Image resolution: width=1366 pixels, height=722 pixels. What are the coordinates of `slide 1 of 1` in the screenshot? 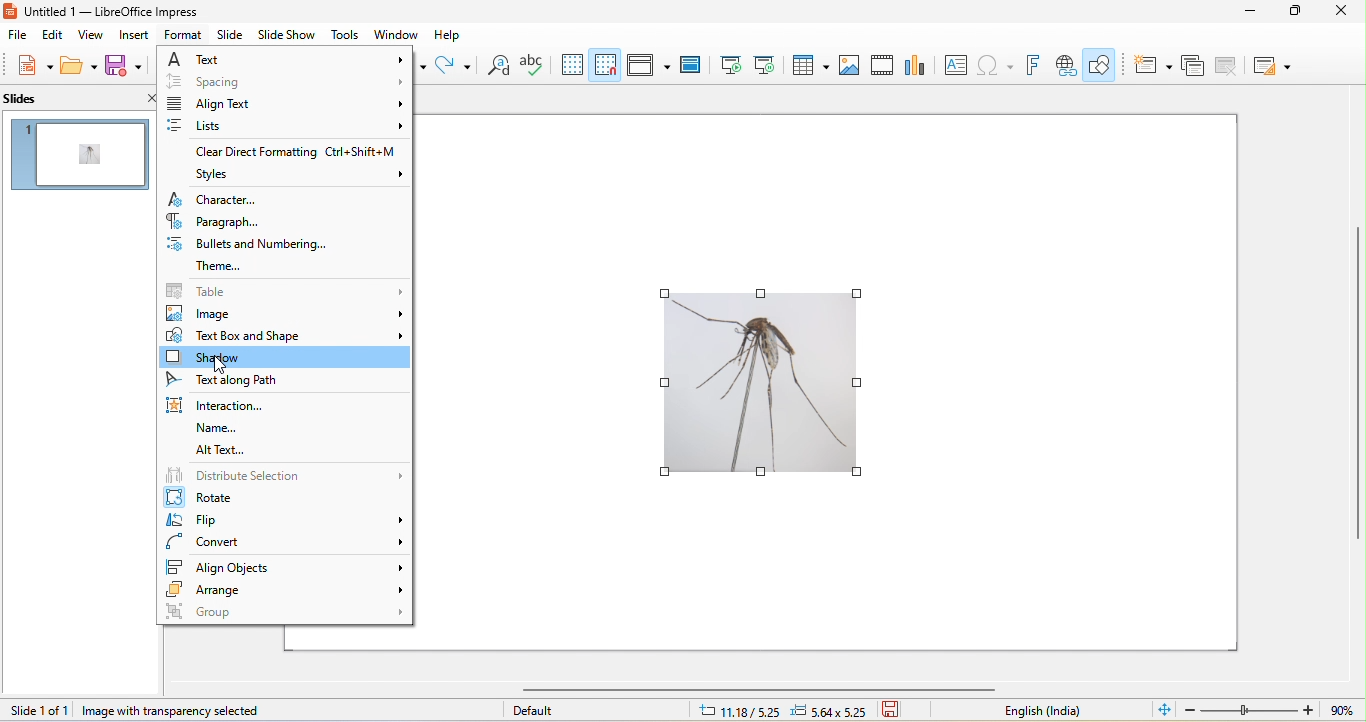 It's located at (38, 710).